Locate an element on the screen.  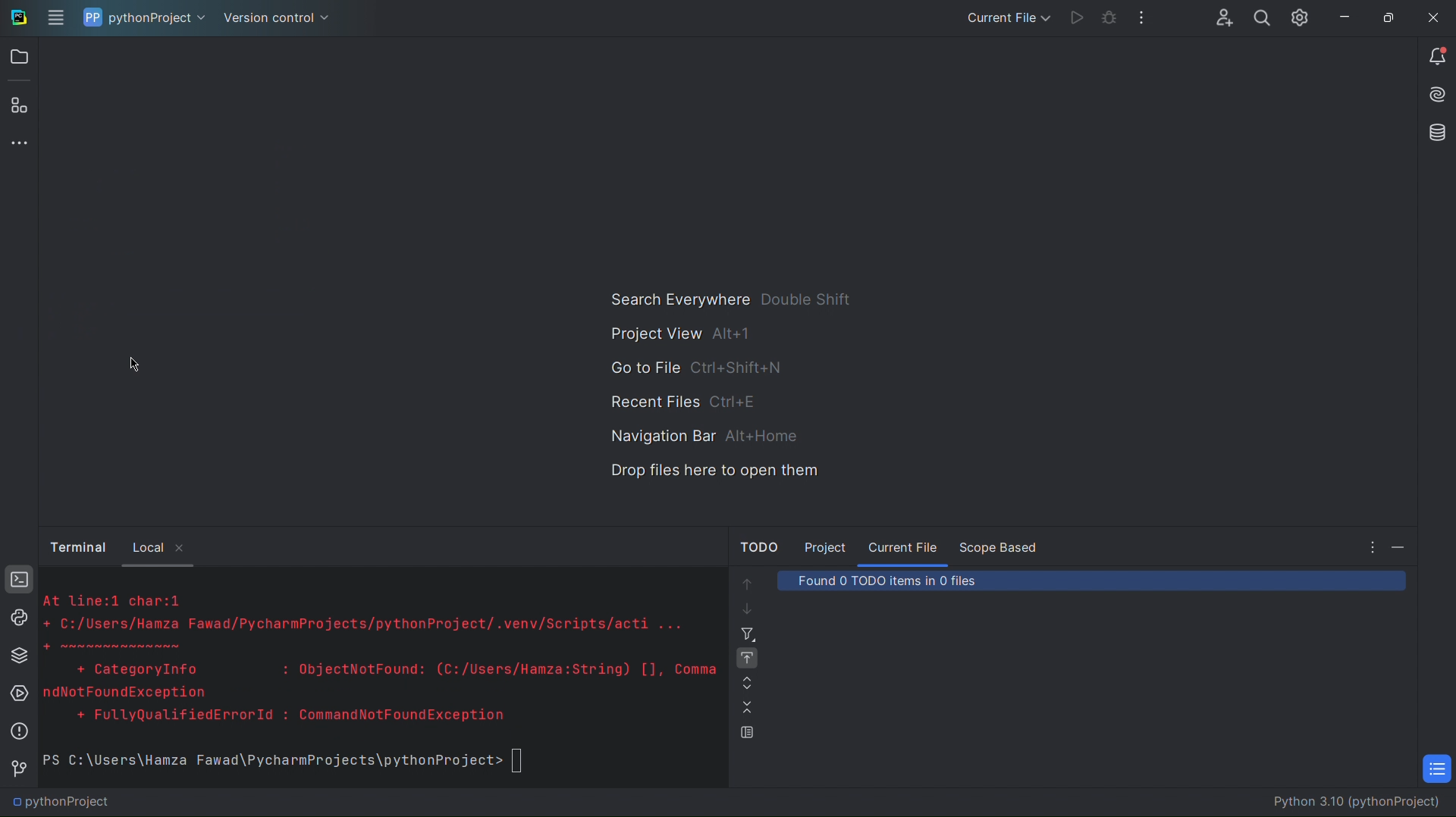
Move down is located at coordinates (747, 613).